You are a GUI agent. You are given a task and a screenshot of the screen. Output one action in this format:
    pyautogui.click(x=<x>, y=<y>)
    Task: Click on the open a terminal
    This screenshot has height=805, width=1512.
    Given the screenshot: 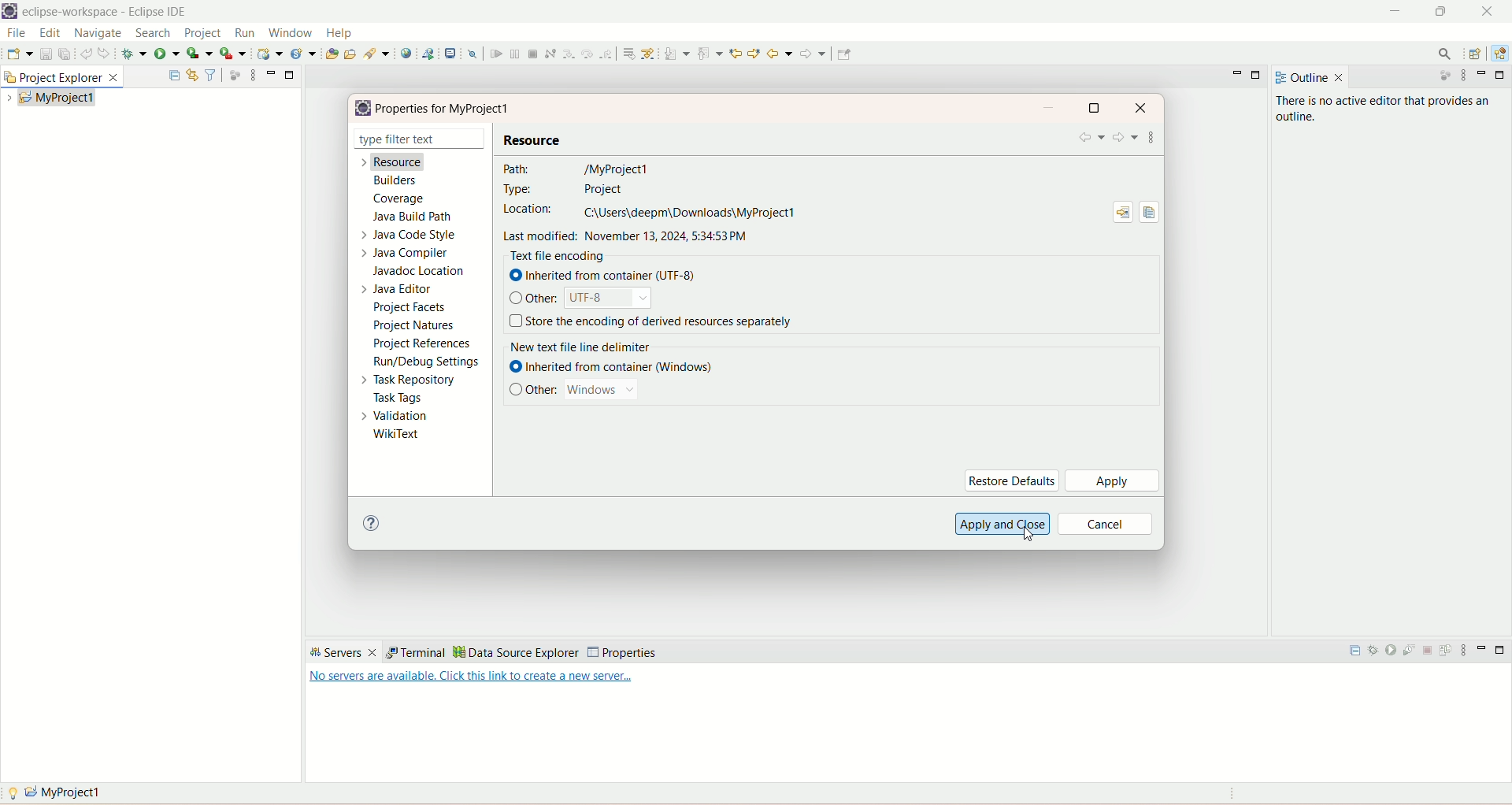 What is the action you would take?
    pyautogui.click(x=451, y=53)
    